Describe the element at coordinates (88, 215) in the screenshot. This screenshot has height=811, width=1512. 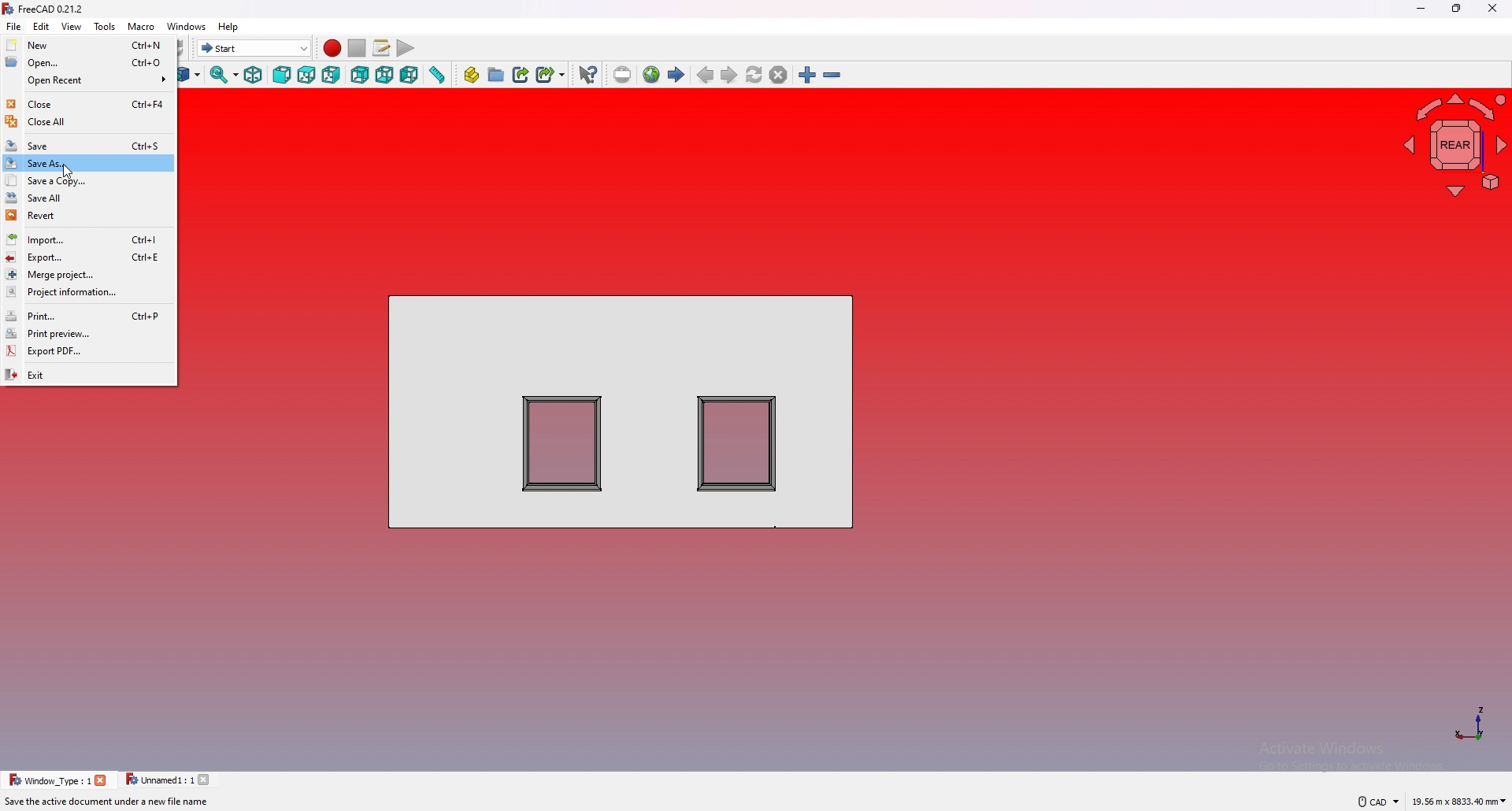
I see `revert` at that location.